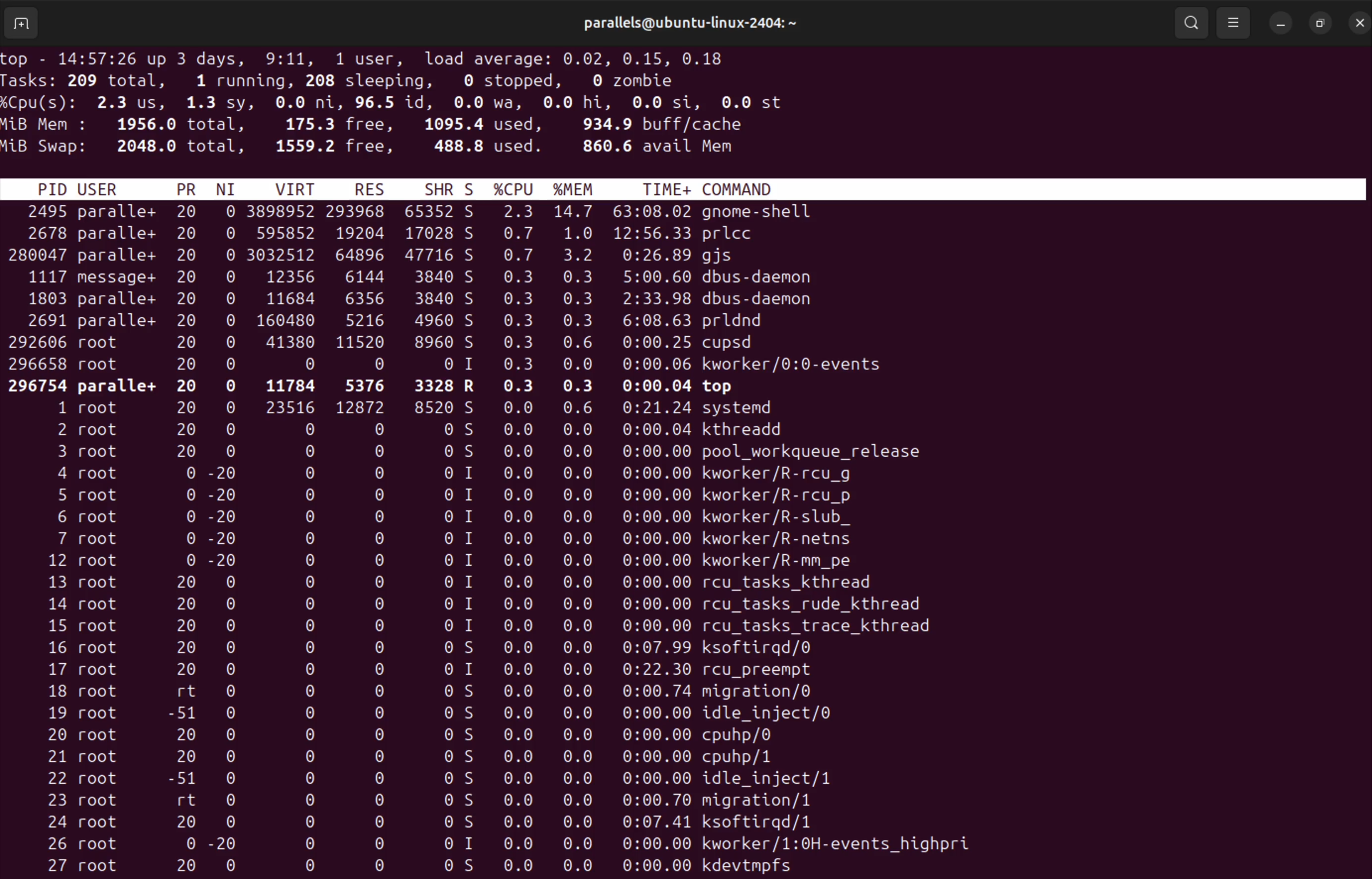 The height and width of the screenshot is (879, 1372). What do you see at coordinates (1281, 23) in the screenshot?
I see `minimize` at bounding box center [1281, 23].